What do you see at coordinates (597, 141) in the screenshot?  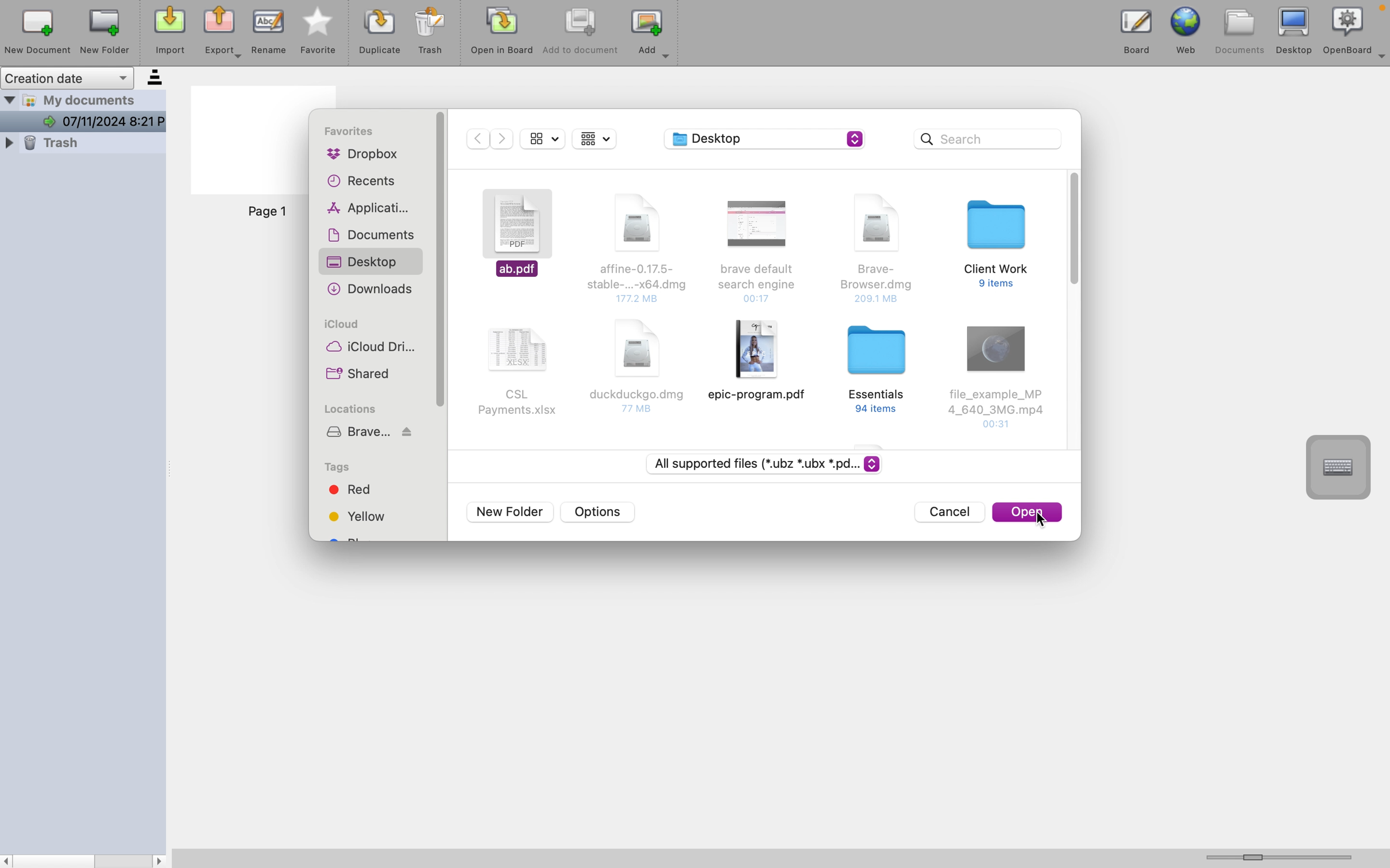 I see `display options` at bounding box center [597, 141].